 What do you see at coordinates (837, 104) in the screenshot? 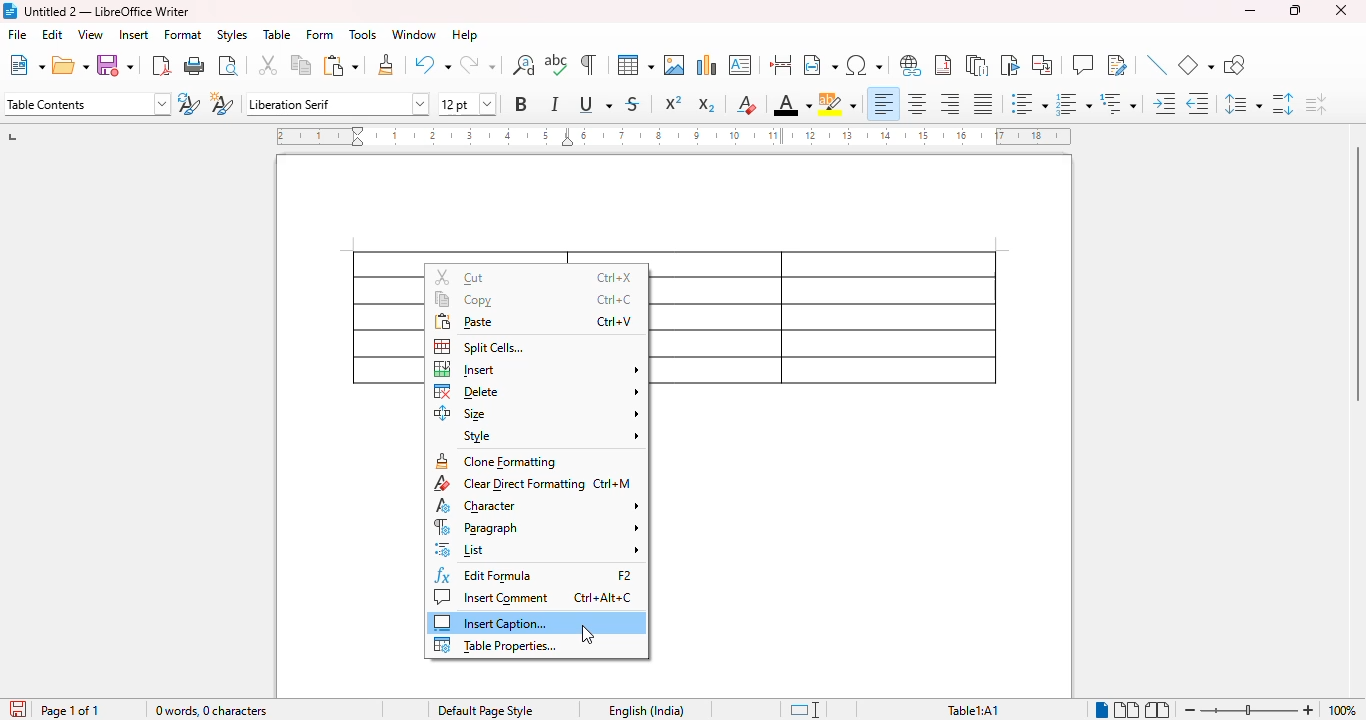
I see `character highlighting color` at bounding box center [837, 104].